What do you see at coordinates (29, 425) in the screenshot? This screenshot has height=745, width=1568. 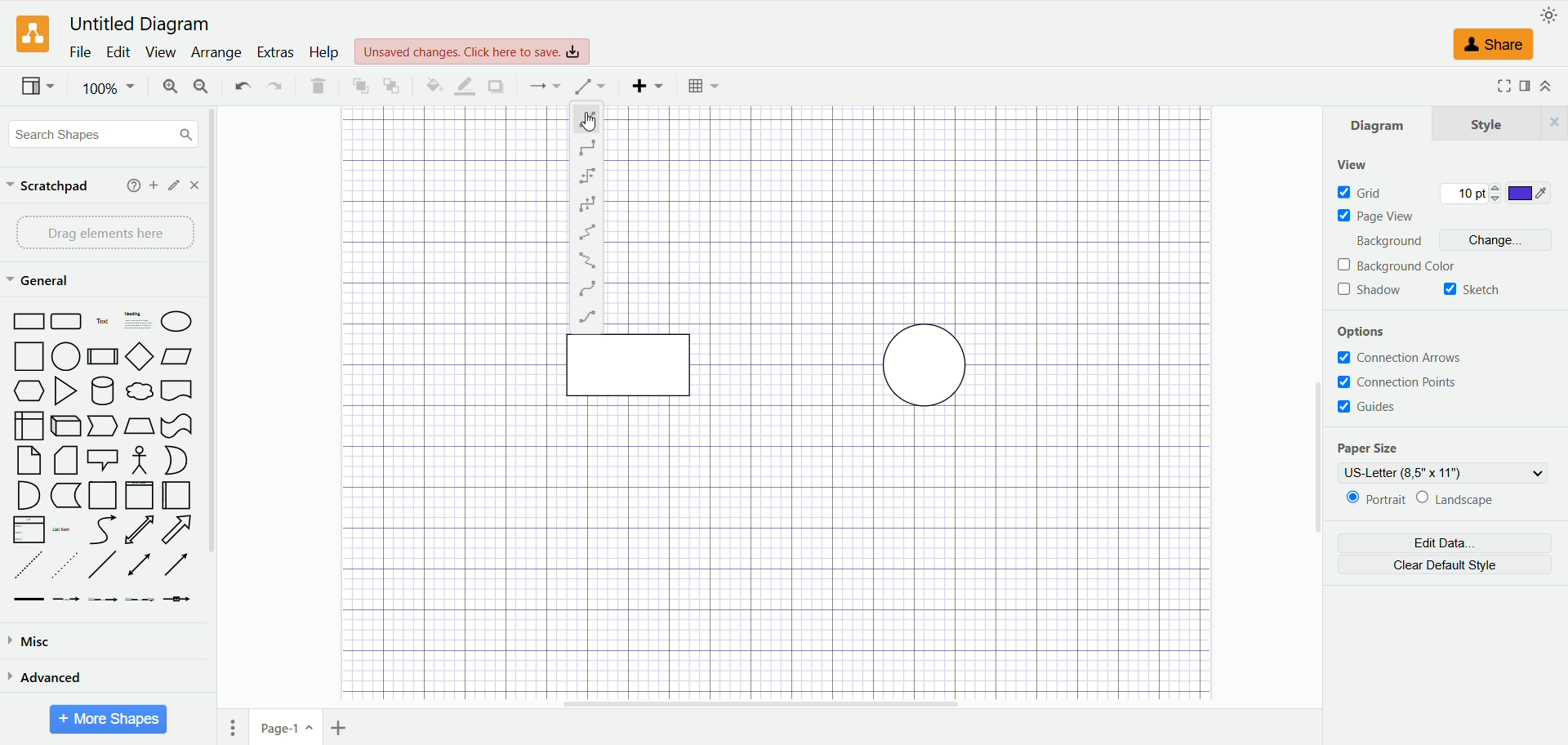 I see `Box` at bounding box center [29, 425].